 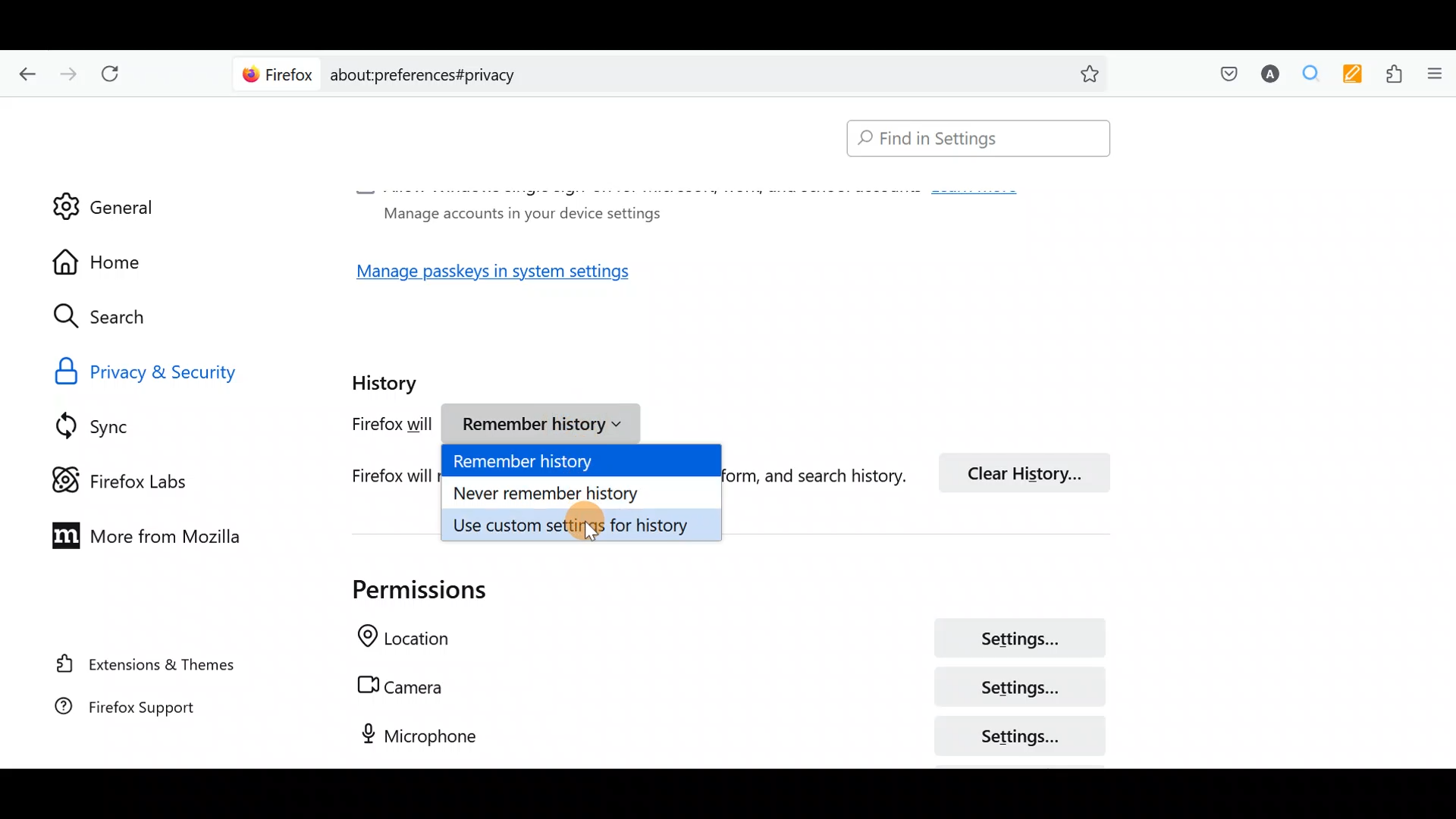 What do you see at coordinates (971, 140) in the screenshot?
I see `Search bar` at bounding box center [971, 140].